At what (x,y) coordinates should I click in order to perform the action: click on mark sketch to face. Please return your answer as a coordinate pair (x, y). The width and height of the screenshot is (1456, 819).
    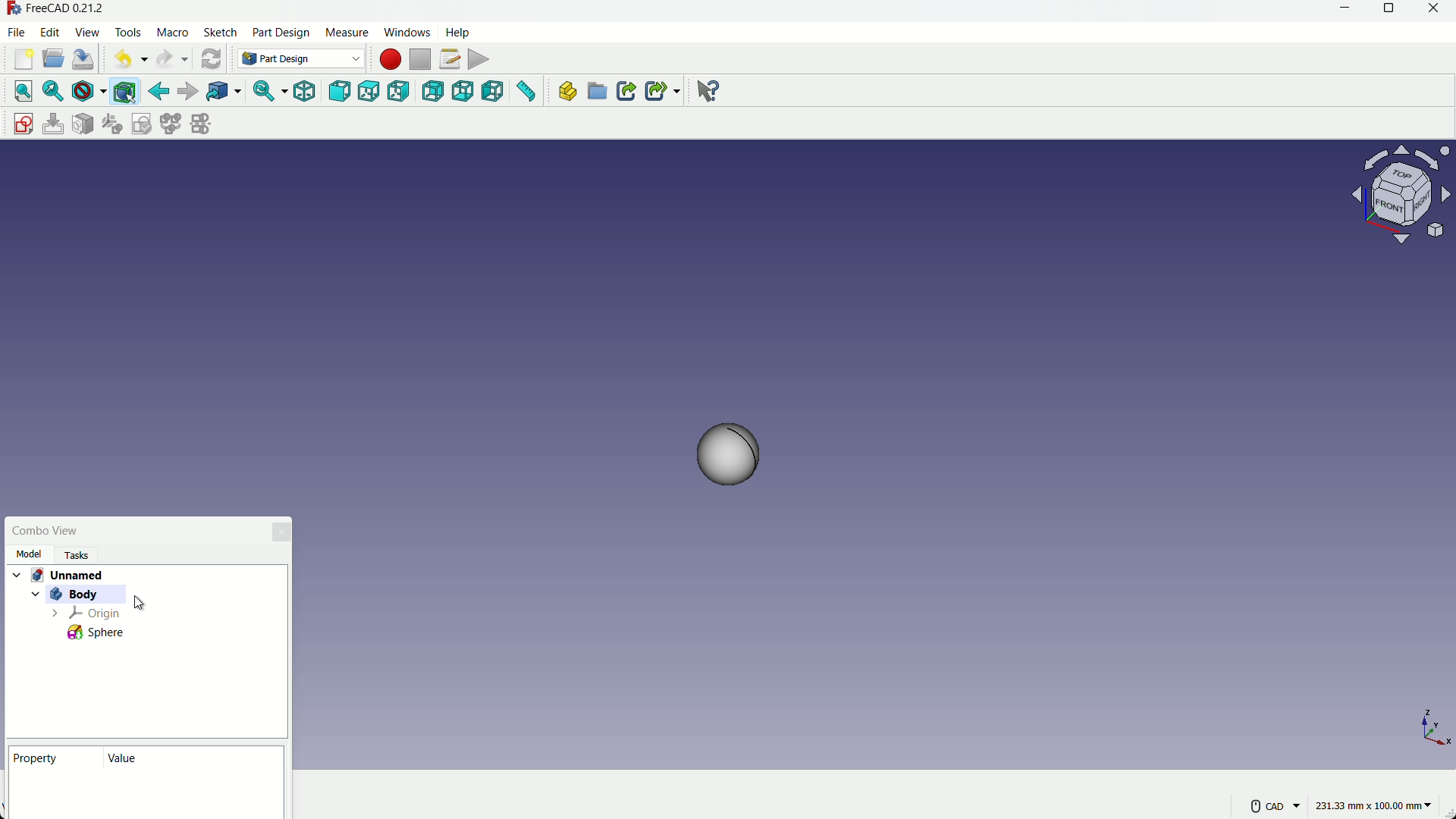
    Looking at the image, I should click on (83, 124).